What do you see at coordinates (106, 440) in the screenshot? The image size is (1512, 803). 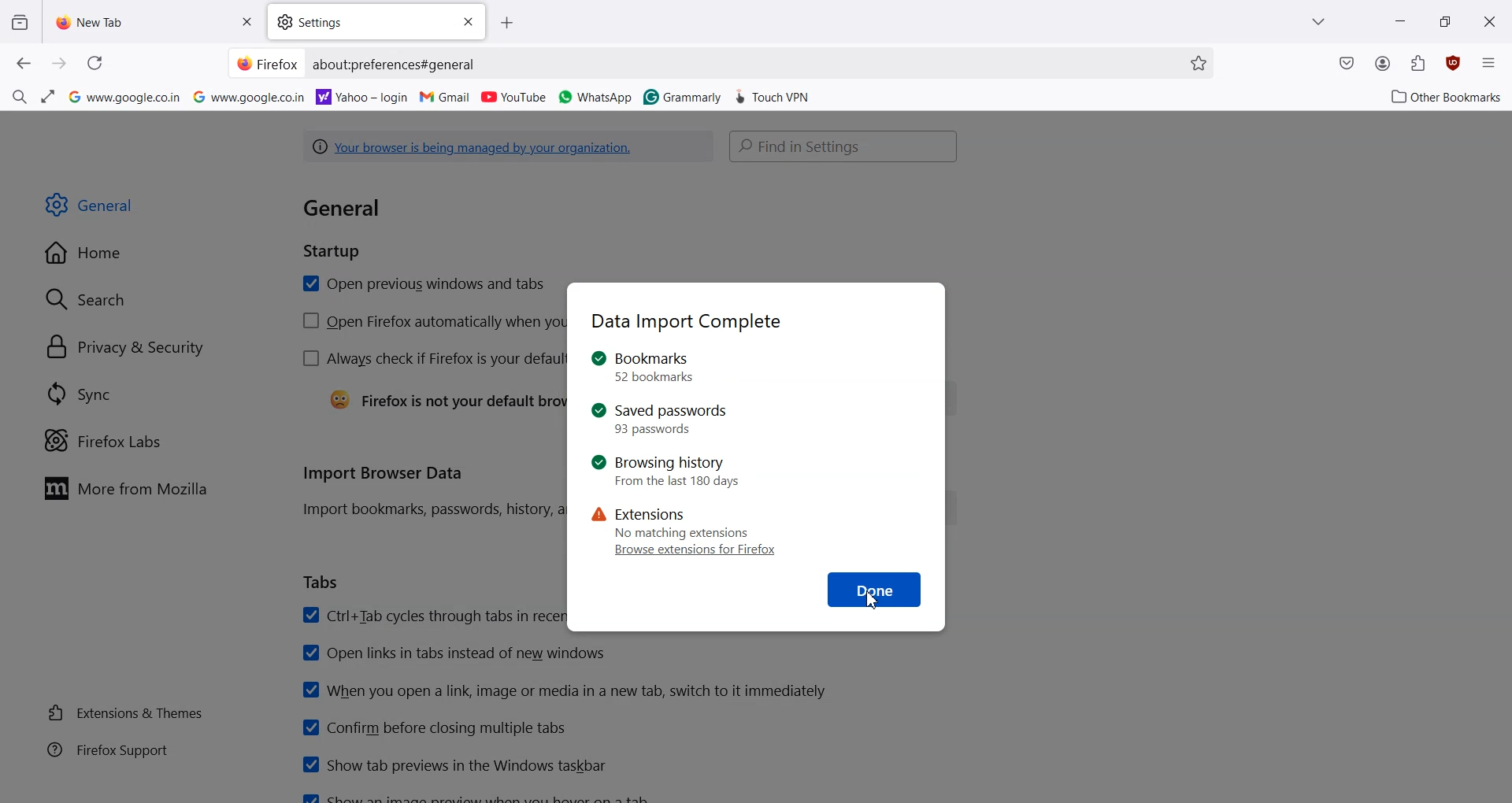 I see `Firefox Labs` at bounding box center [106, 440].